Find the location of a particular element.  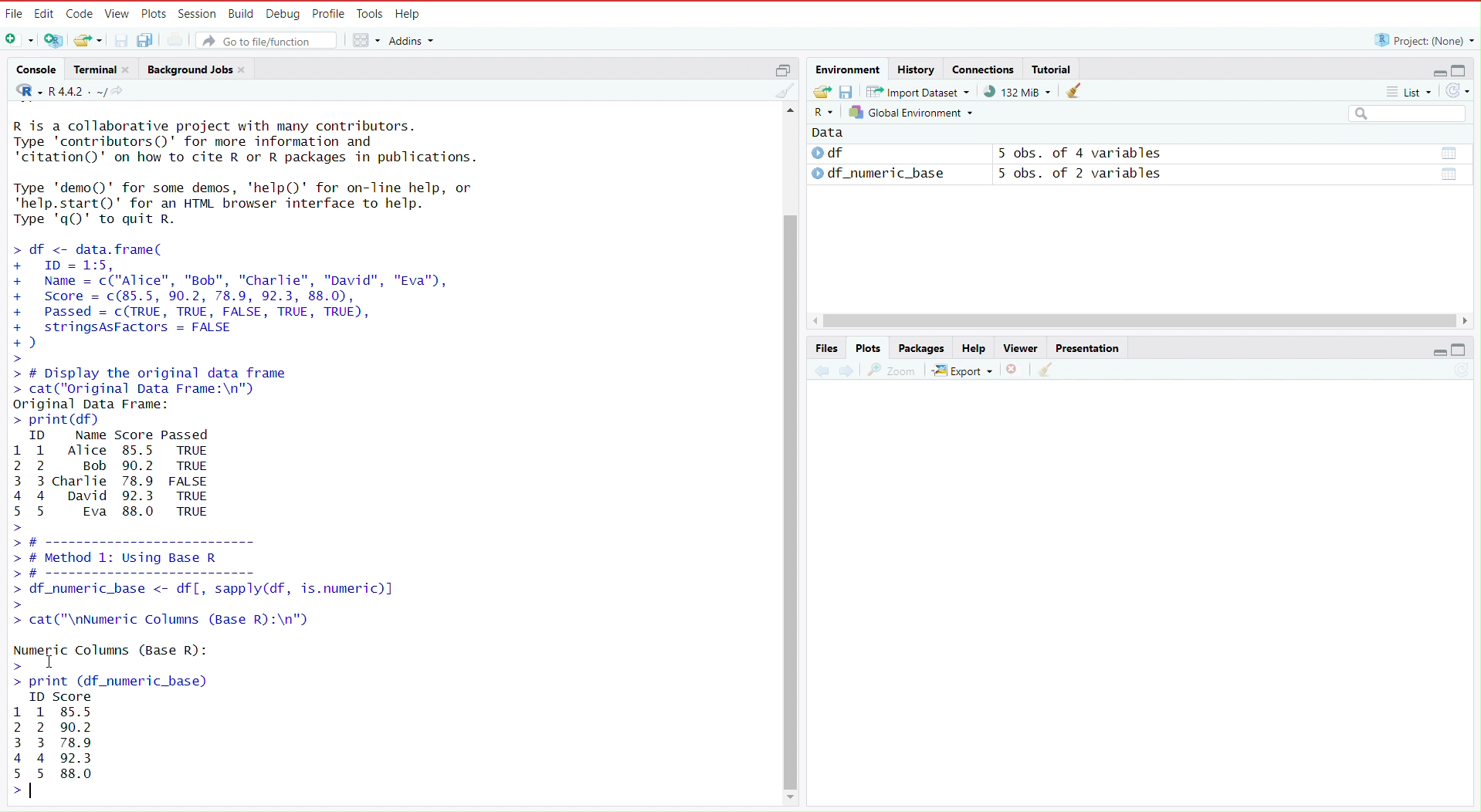

play is located at coordinates (818, 153).